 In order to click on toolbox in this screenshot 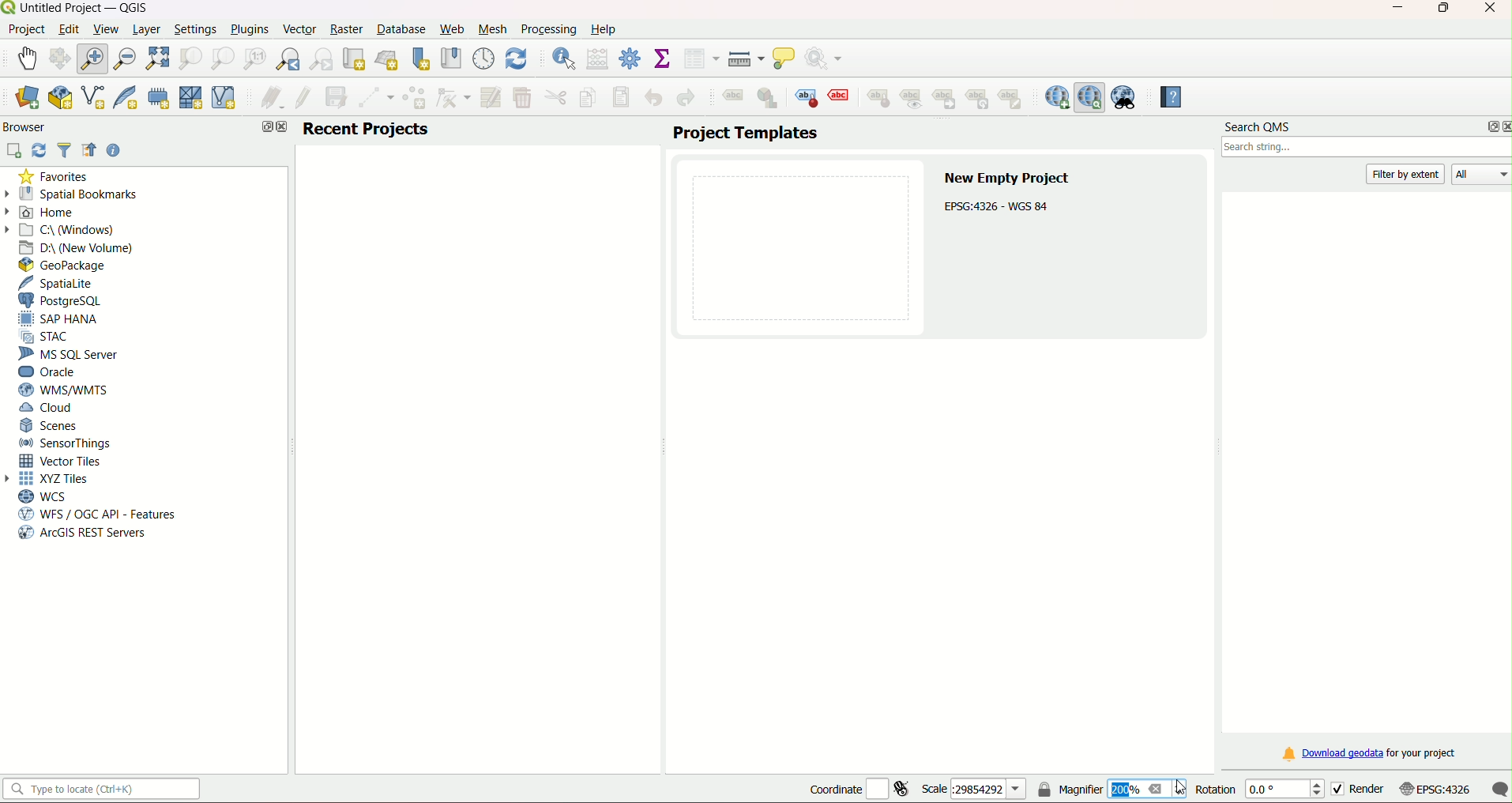, I will do `click(631, 59)`.